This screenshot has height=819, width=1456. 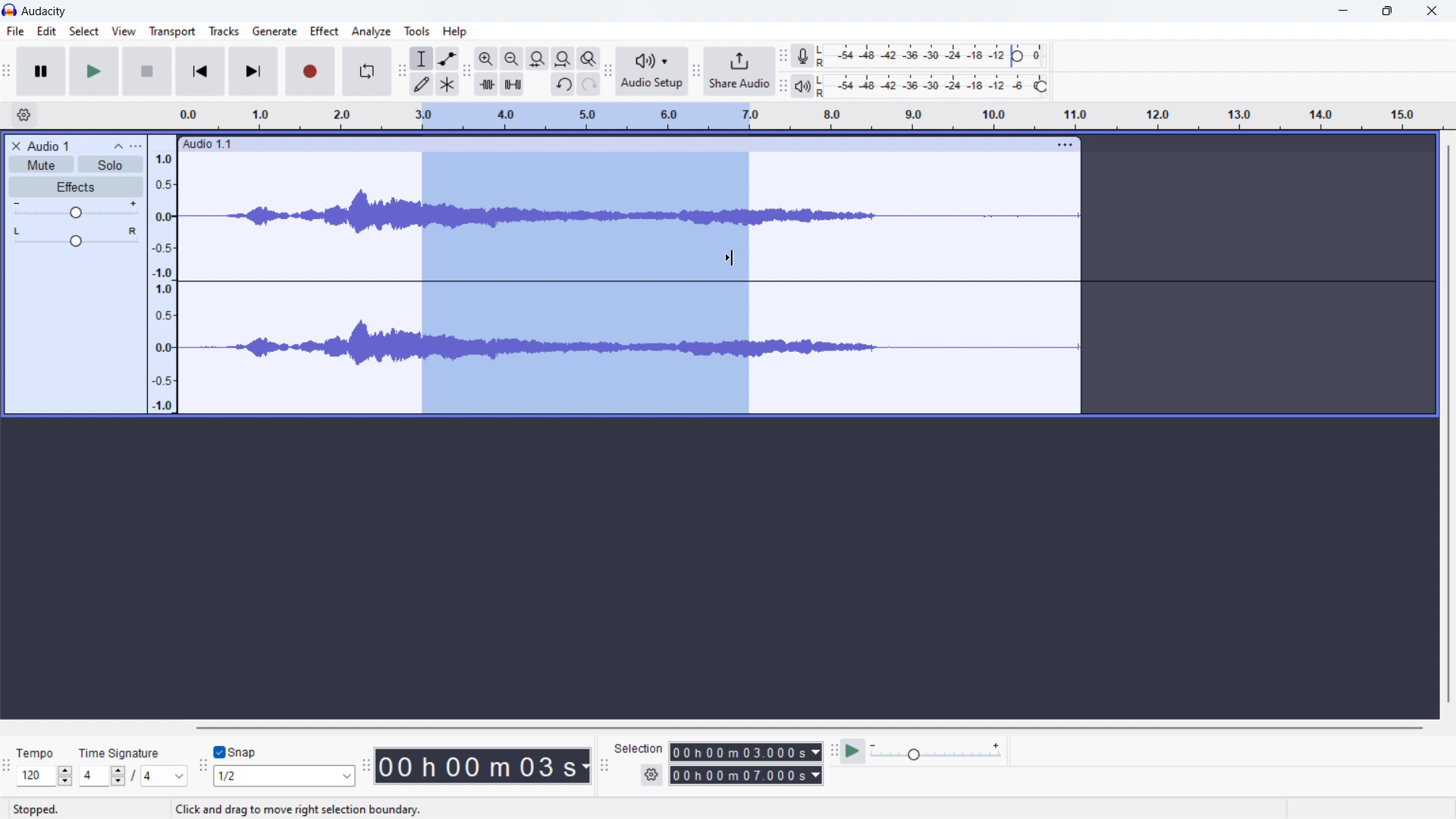 I want to click on playback speed, so click(x=935, y=751).